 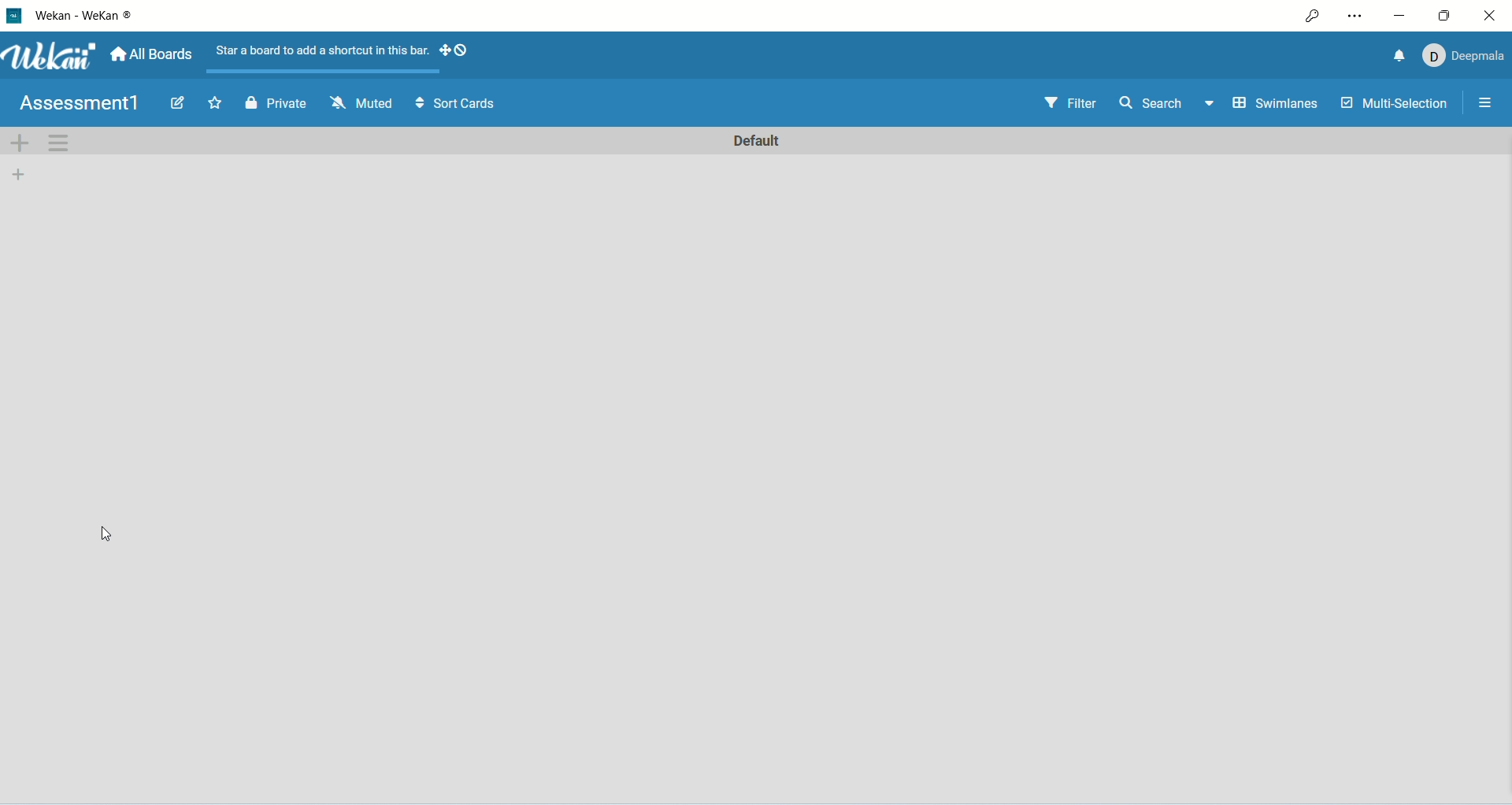 I want to click on WeKan-Wekan, so click(x=87, y=18).